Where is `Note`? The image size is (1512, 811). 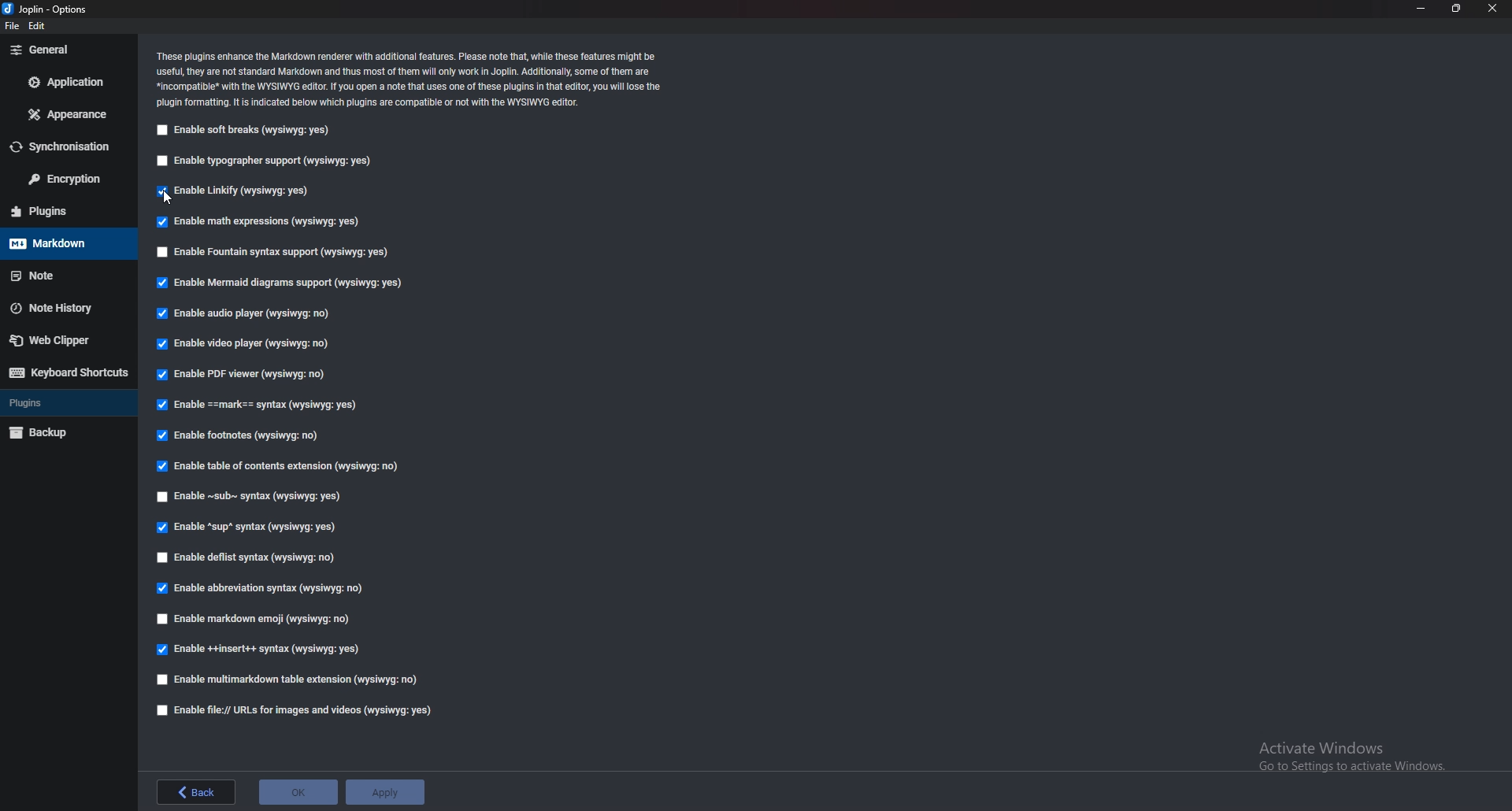
Note is located at coordinates (61, 276).